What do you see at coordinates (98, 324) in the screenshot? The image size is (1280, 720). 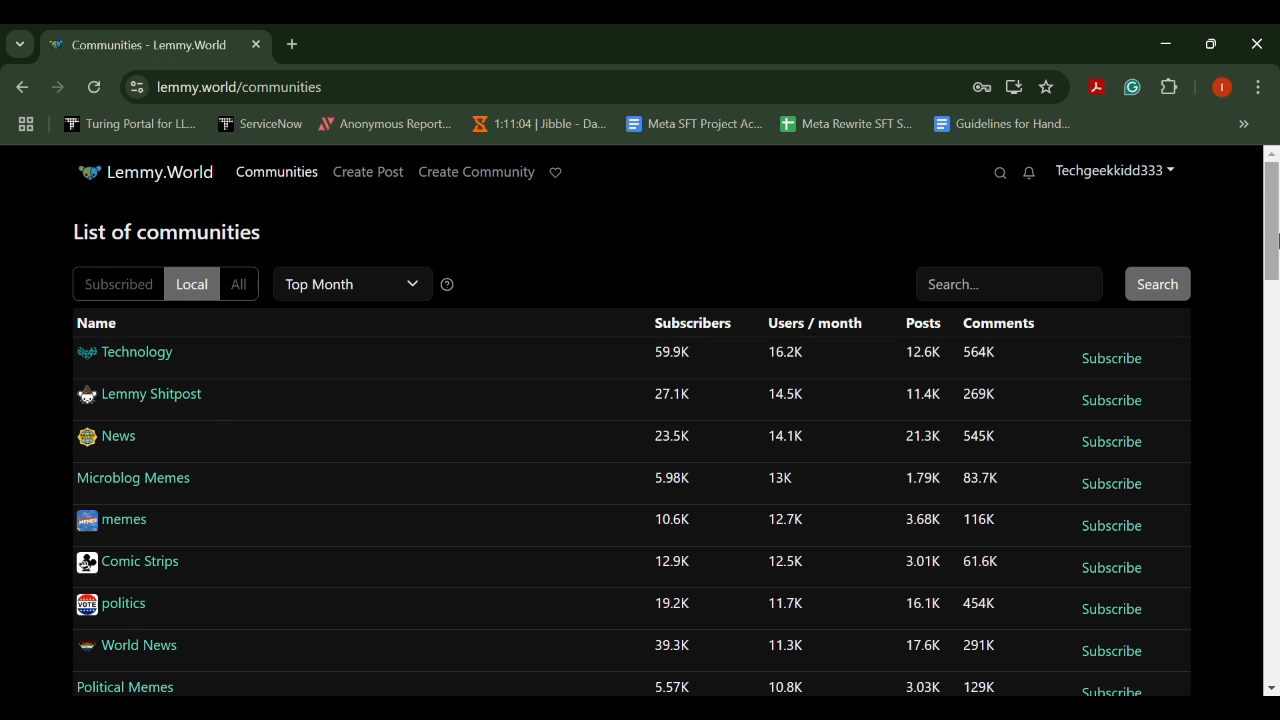 I see `Name` at bounding box center [98, 324].